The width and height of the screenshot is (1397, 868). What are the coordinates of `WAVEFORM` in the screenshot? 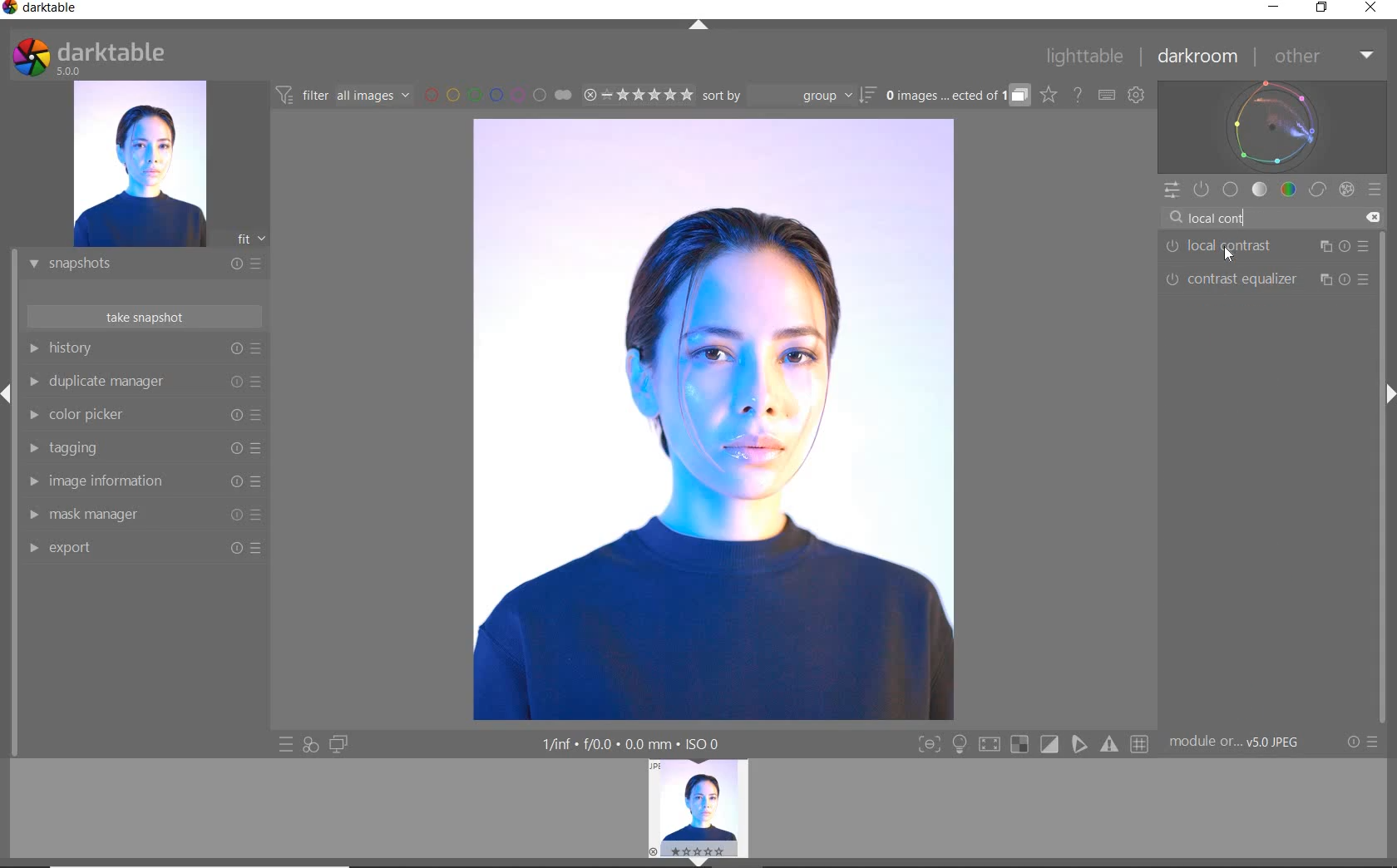 It's located at (1272, 126).